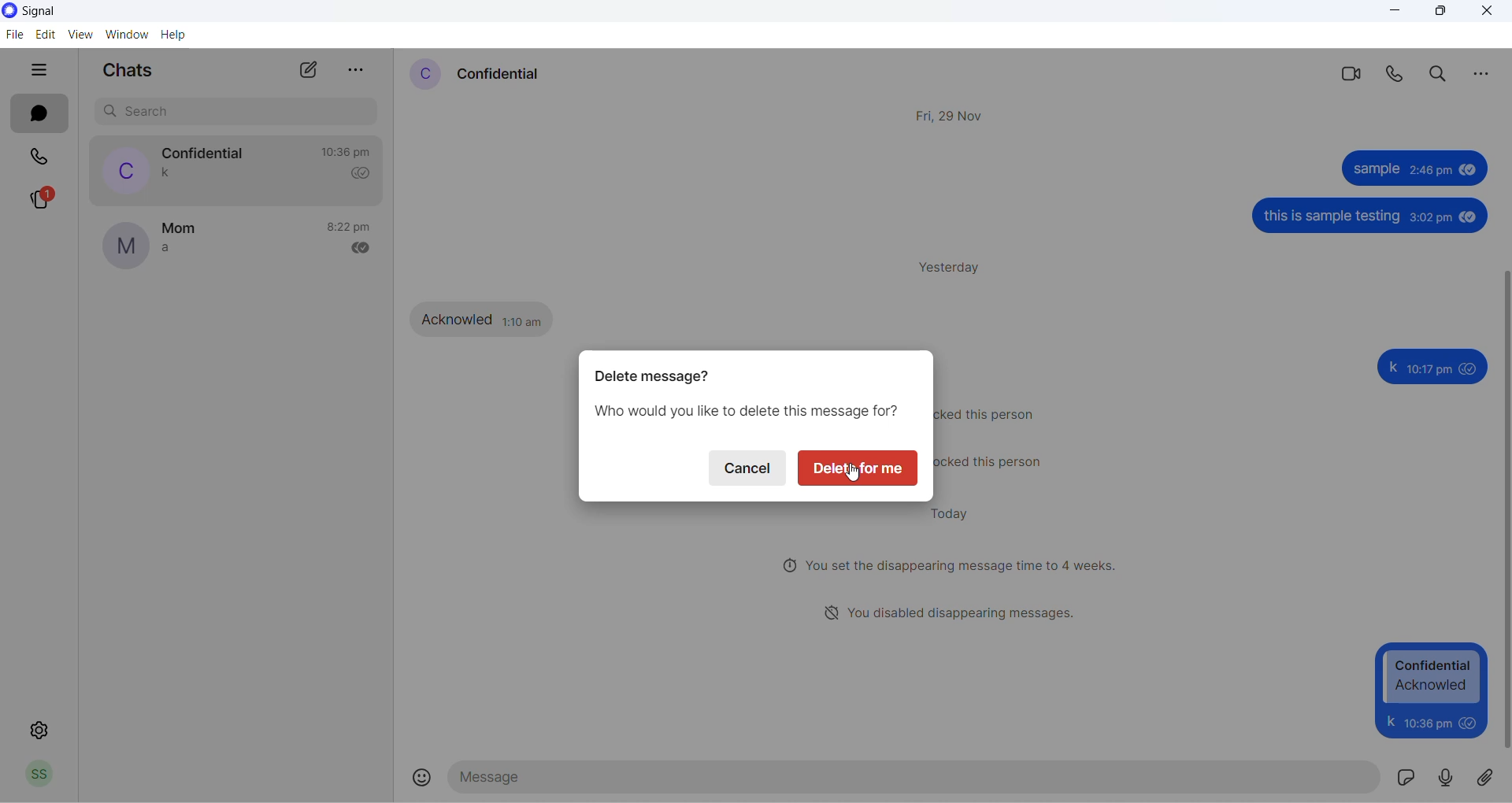 The image size is (1512, 803). What do you see at coordinates (355, 154) in the screenshot?
I see `last message time` at bounding box center [355, 154].